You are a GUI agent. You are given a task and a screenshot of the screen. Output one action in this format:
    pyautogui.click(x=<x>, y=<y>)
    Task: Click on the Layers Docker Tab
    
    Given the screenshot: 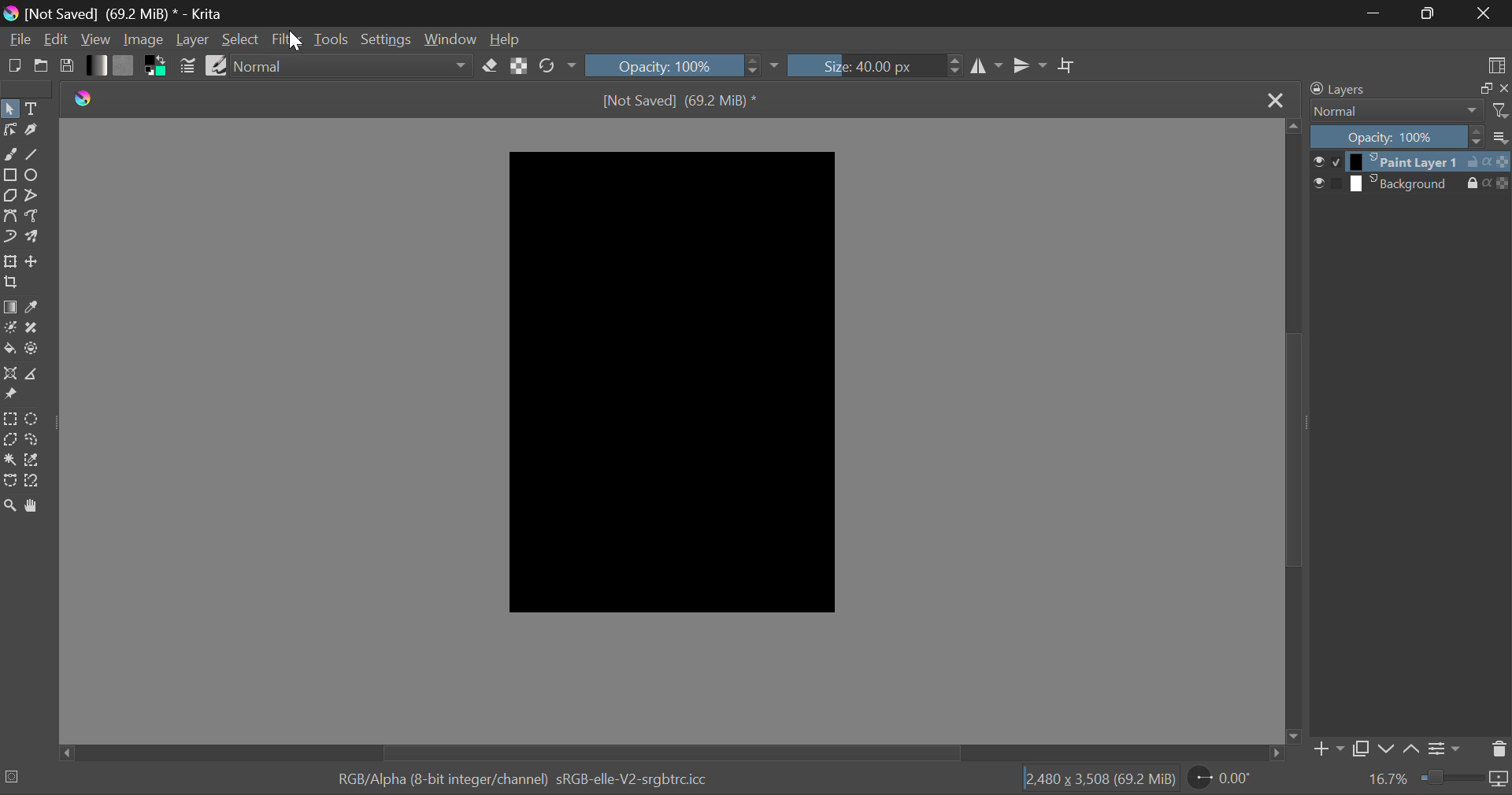 What is the action you would take?
    pyautogui.click(x=1378, y=91)
    